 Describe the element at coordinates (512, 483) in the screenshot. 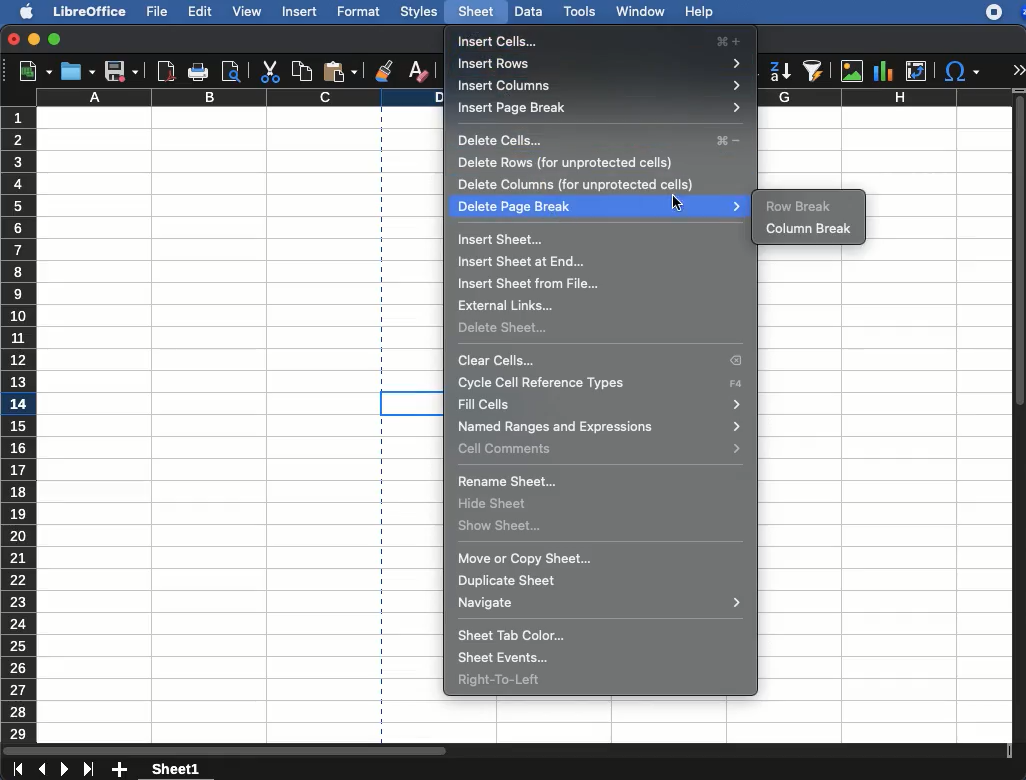

I see `rename sheet` at that location.